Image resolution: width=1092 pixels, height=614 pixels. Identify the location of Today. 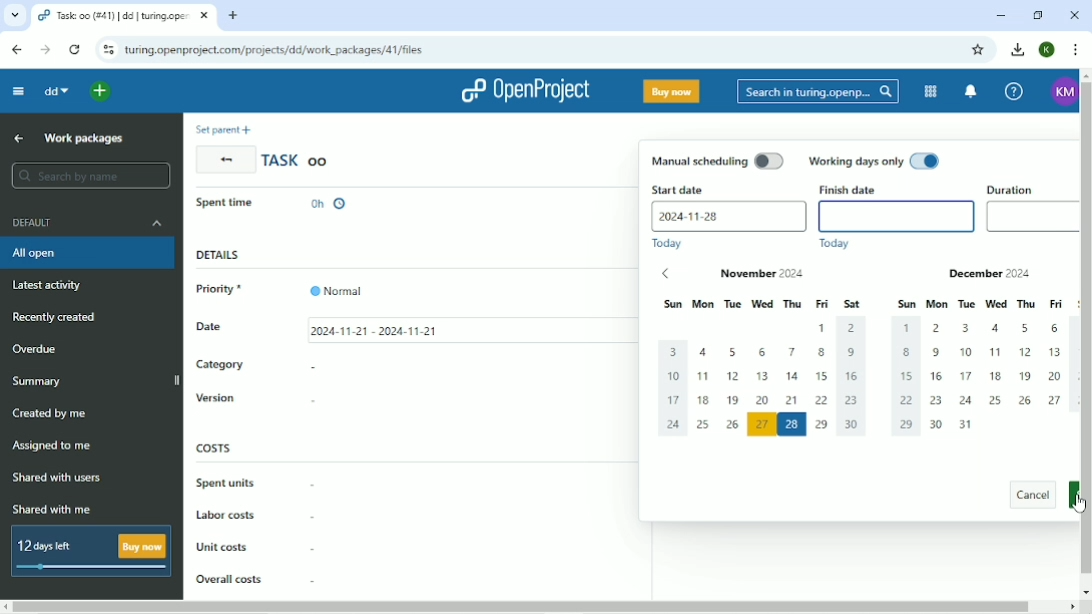
(838, 244).